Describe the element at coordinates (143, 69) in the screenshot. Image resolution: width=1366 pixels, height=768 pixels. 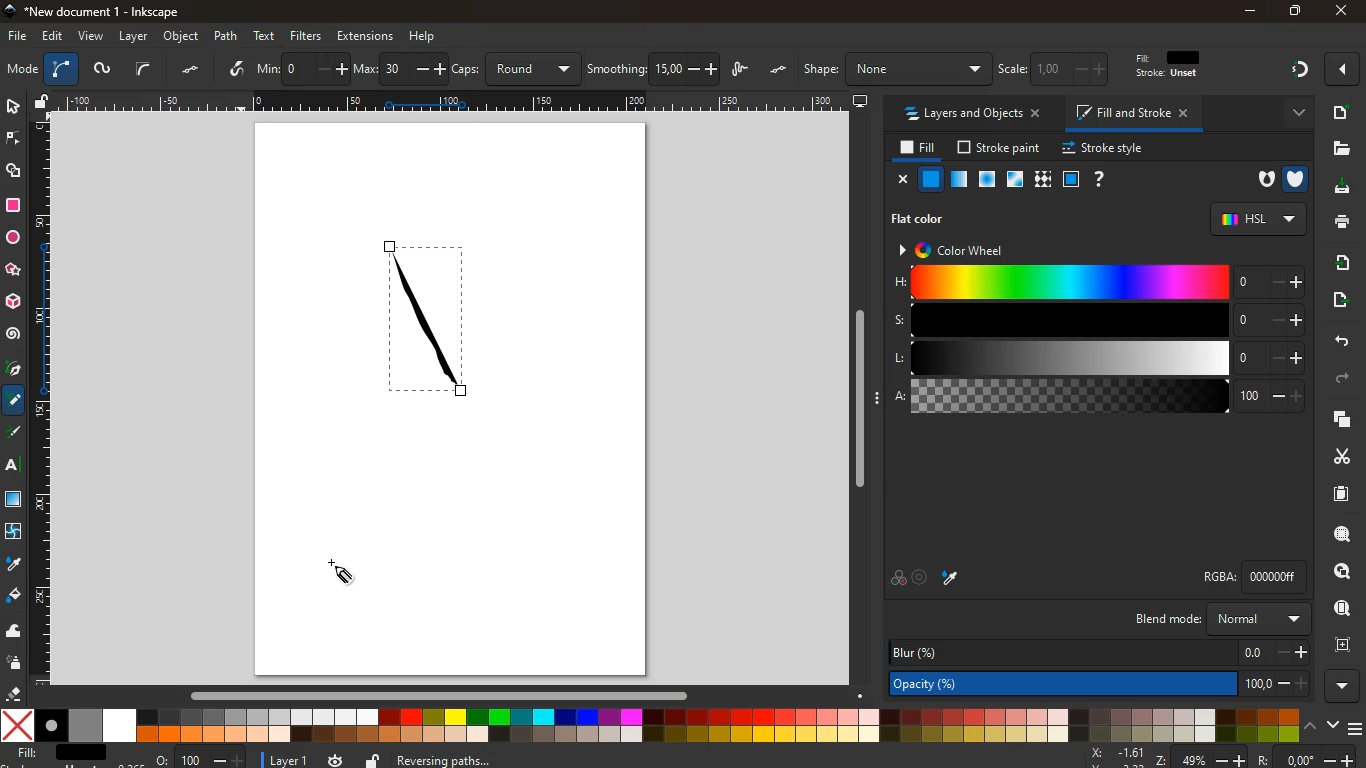
I see `curve` at that location.